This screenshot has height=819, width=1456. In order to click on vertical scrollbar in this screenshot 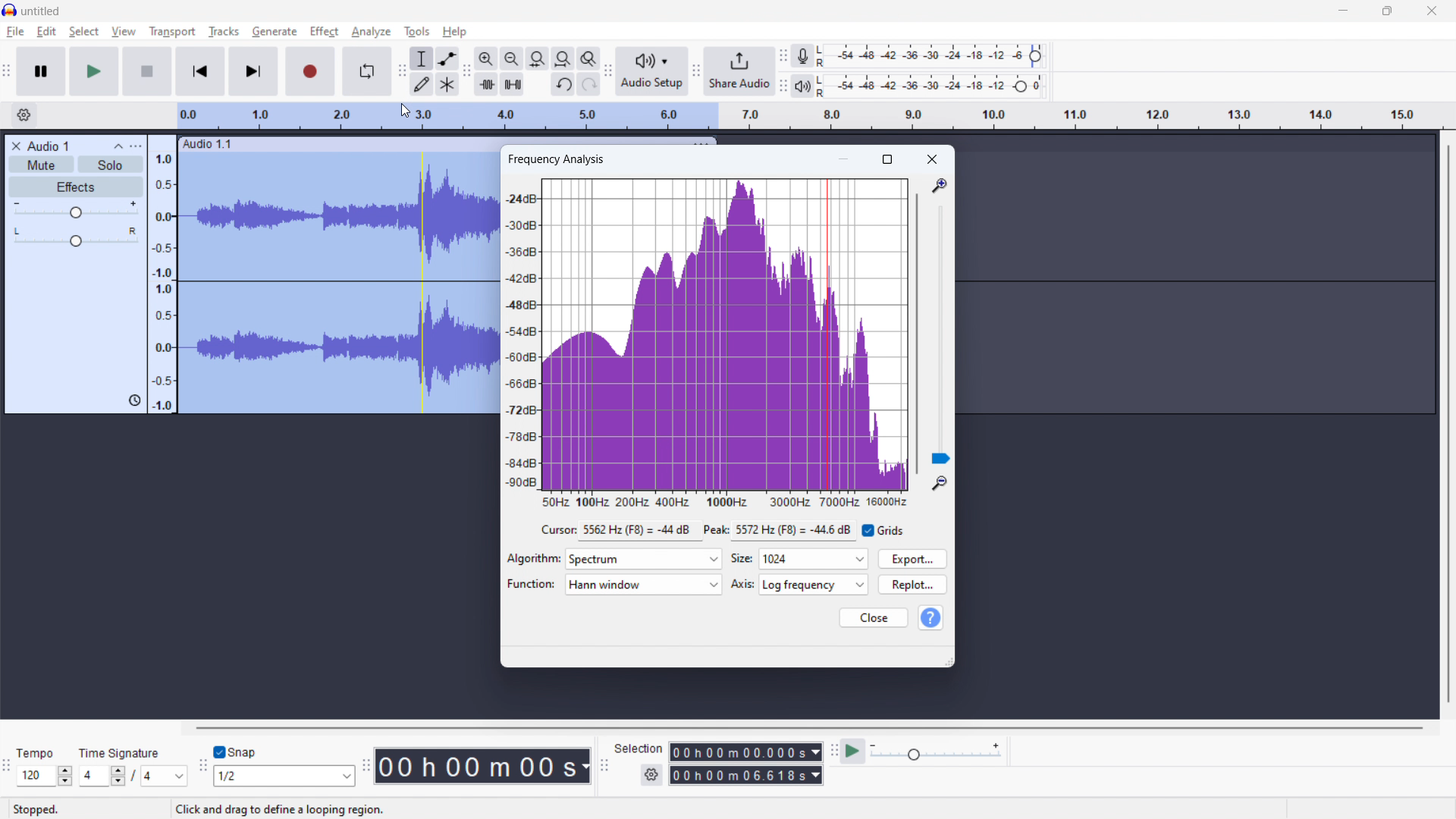, I will do `click(1446, 422)`.